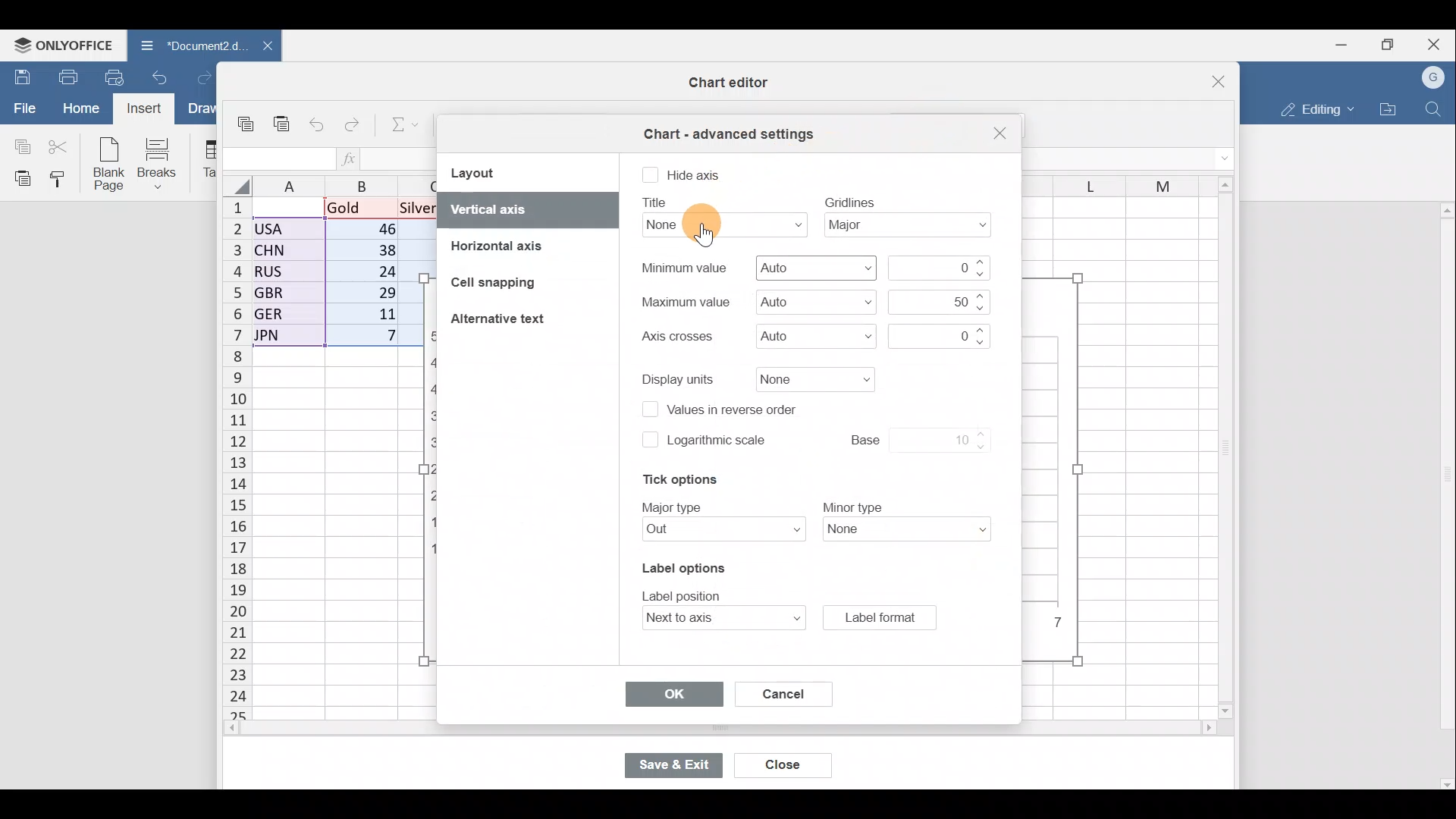 This screenshot has height=819, width=1456. What do you see at coordinates (879, 617) in the screenshot?
I see `Label format` at bounding box center [879, 617].